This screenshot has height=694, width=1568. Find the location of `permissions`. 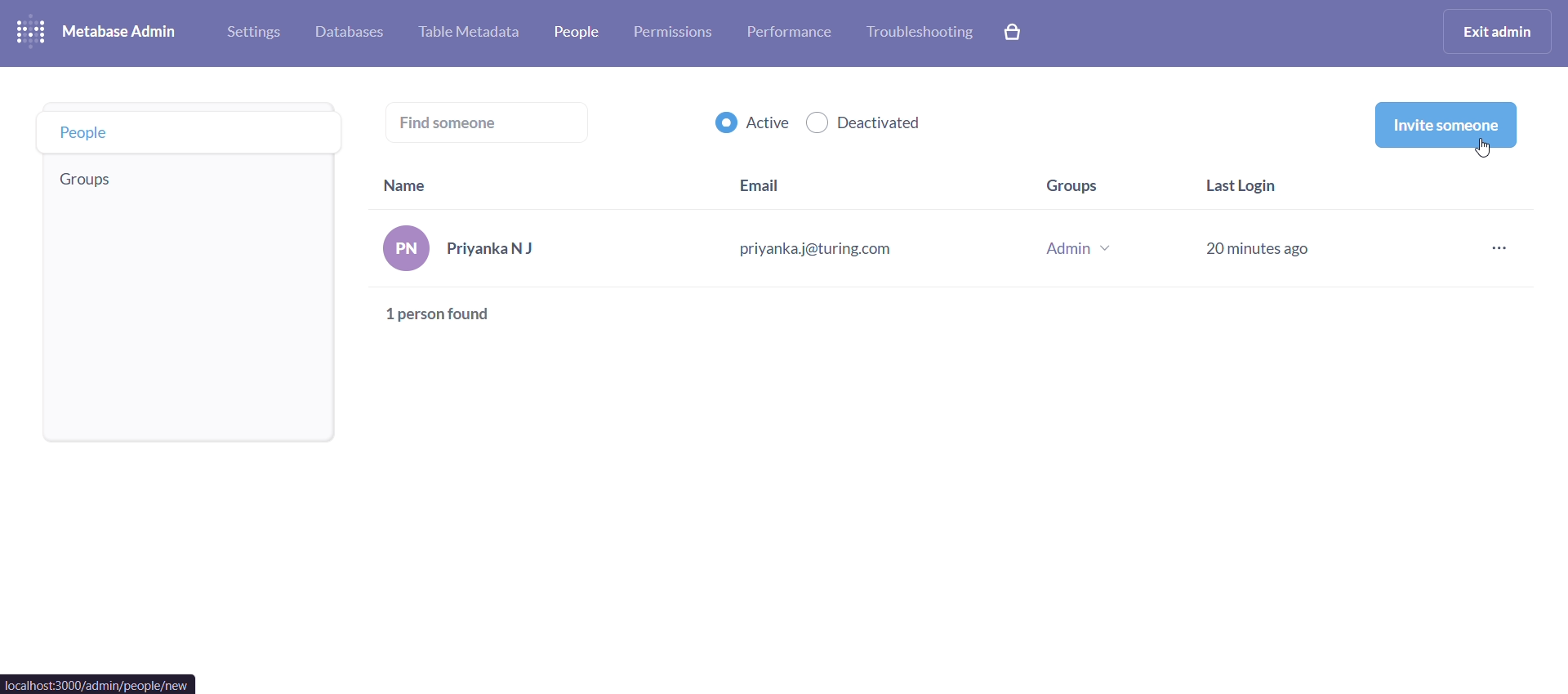

permissions is located at coordinates (673, 33).